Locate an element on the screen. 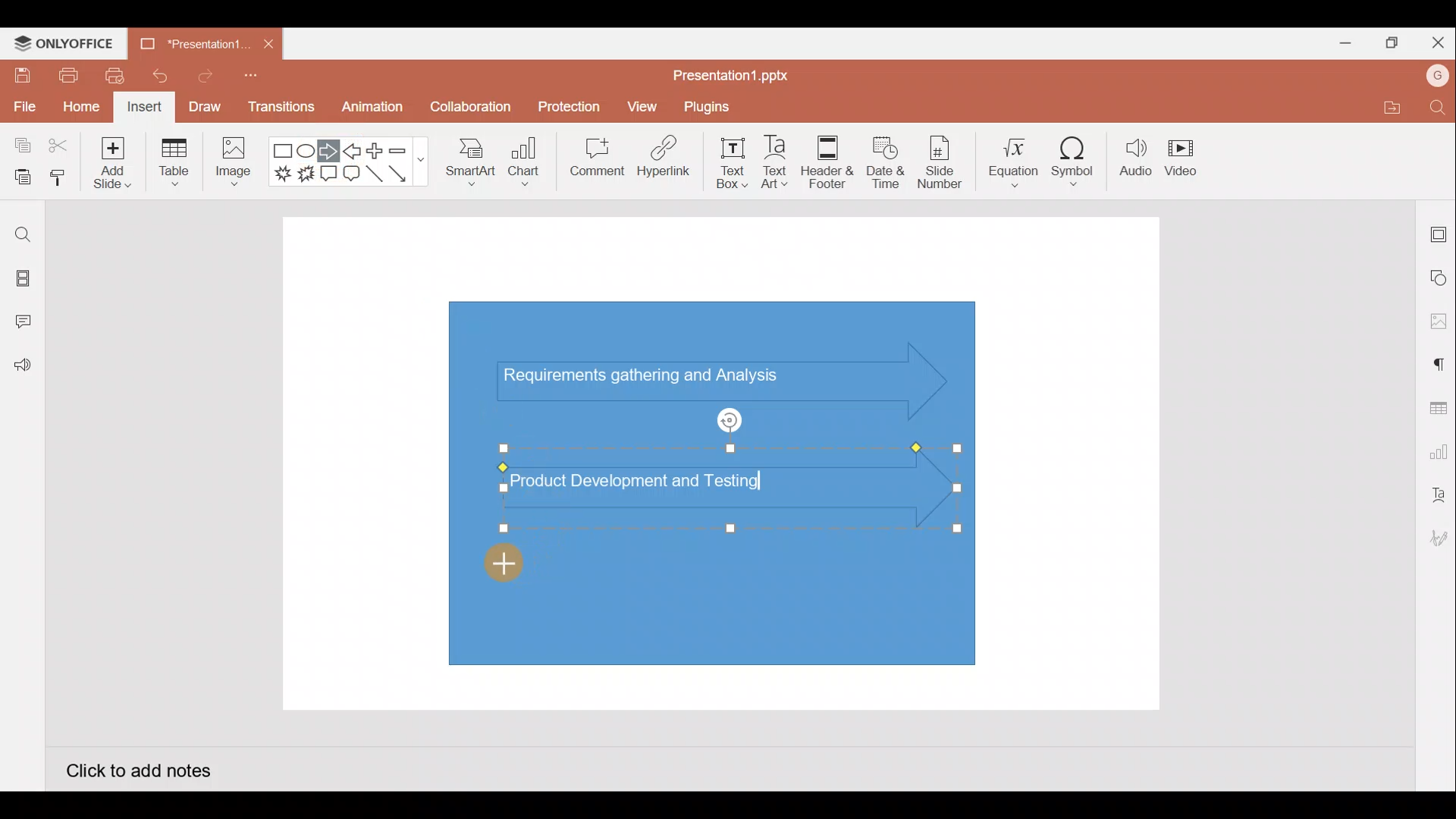 The width and height of the screenshot is (1456, 819). Click to add notes is located at coordinates (138, 769).